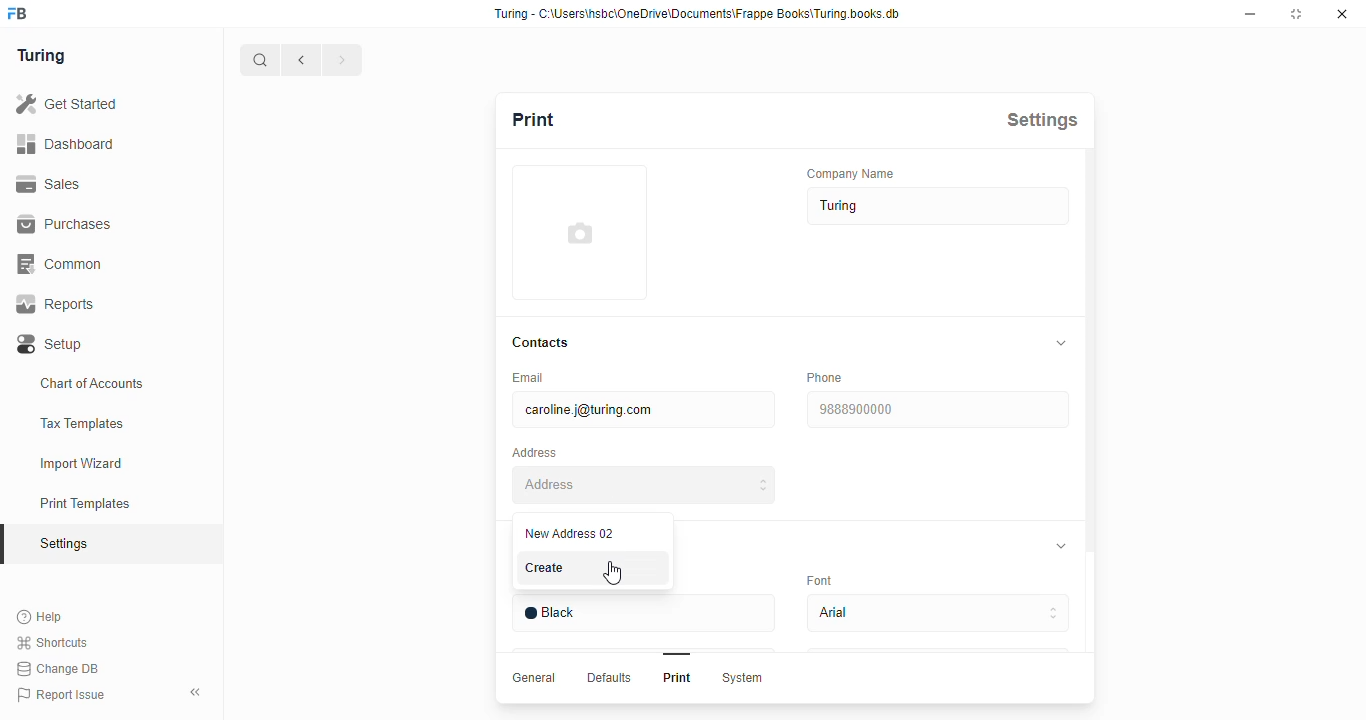  I want to click on chart of accounts, so click(92, 383).